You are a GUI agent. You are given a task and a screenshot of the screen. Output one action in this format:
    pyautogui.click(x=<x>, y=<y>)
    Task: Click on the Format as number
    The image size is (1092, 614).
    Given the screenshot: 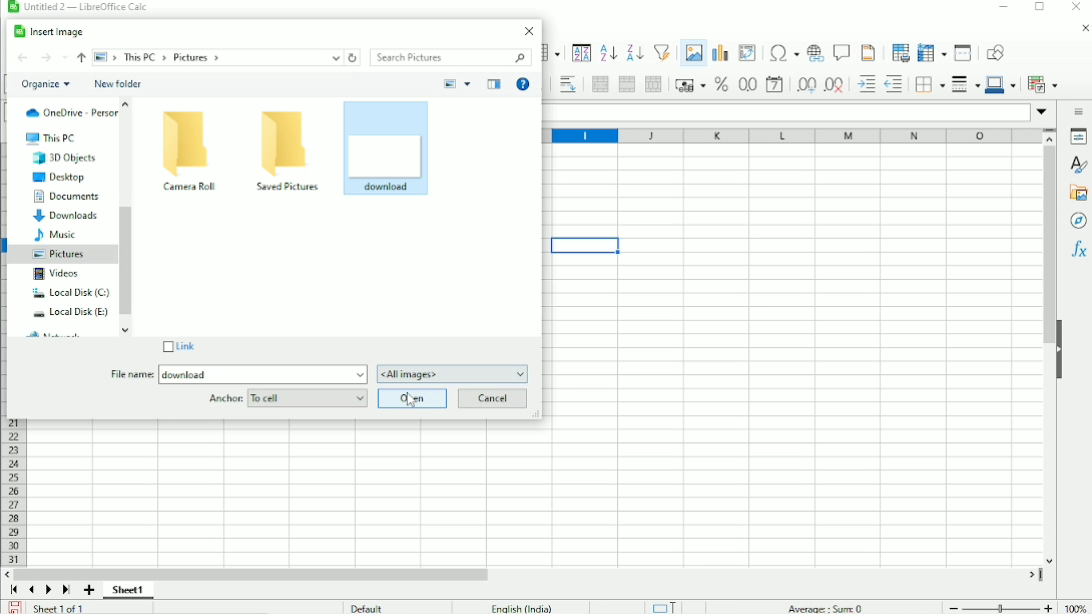 What is the action you would take?
    pyautogui.click(x=745, y=85)
    